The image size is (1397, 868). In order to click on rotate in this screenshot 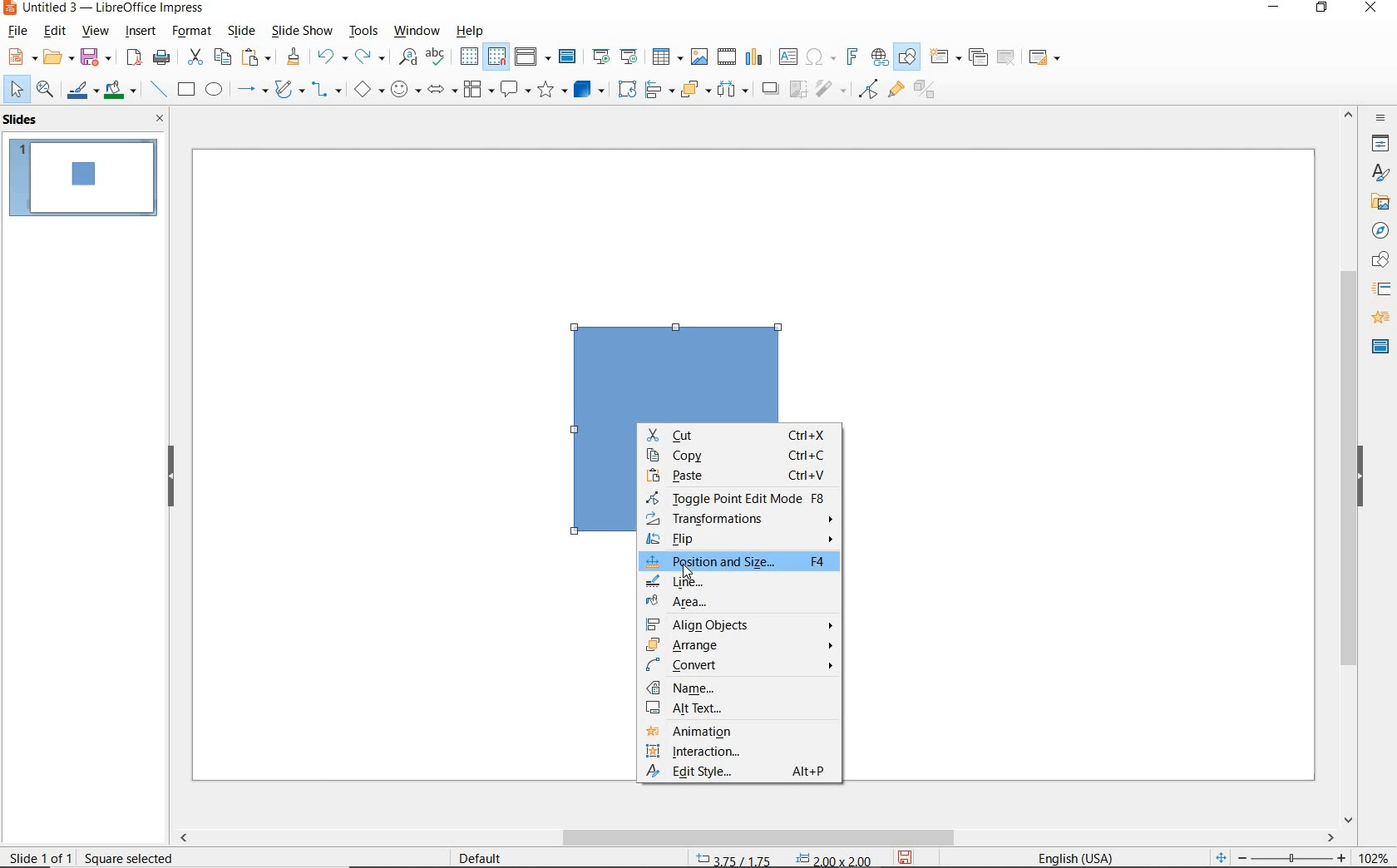, I will do `click(626, 90)`.